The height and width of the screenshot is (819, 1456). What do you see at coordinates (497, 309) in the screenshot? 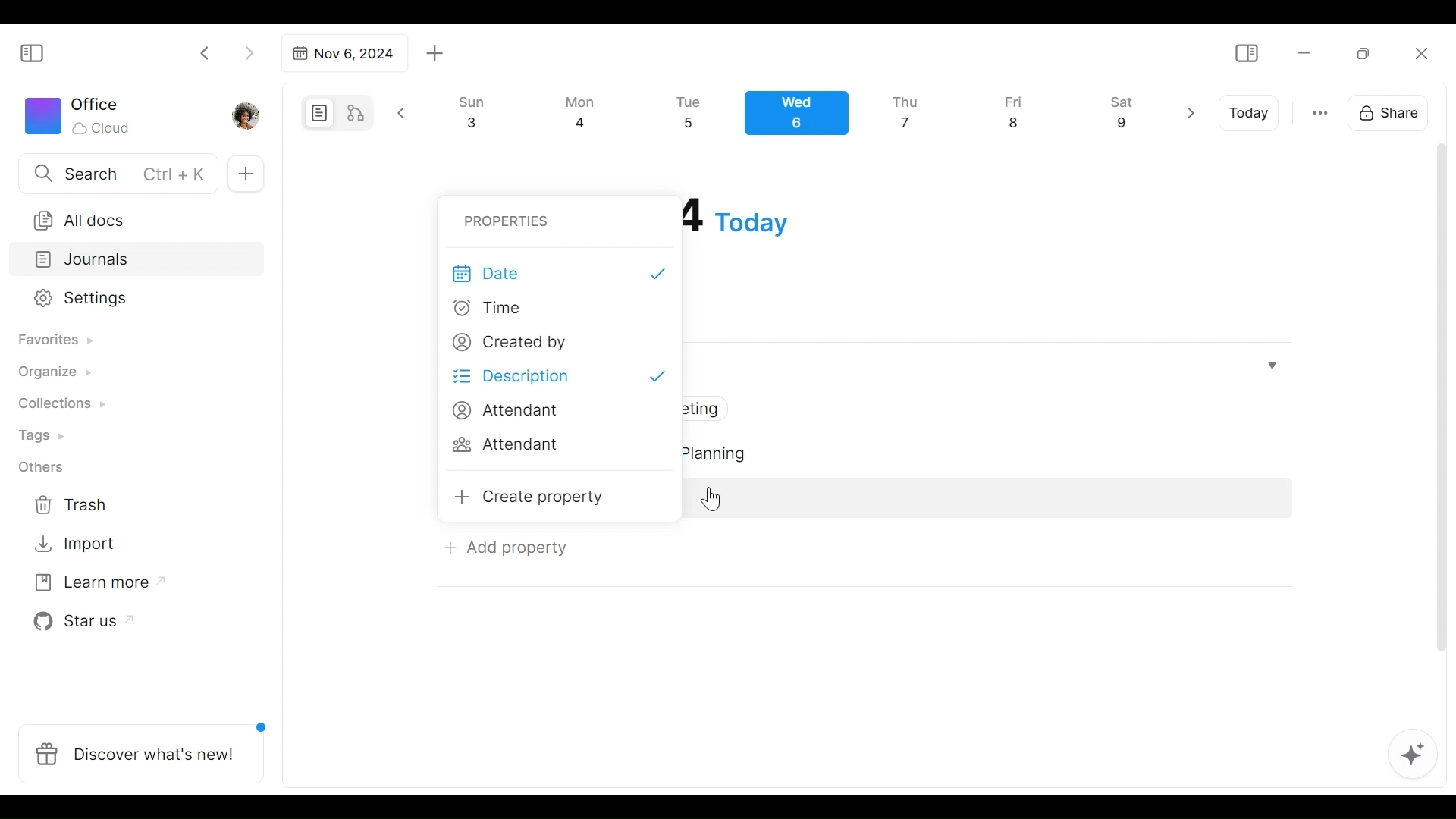
I see `Time` at bounding box center [497, 309].